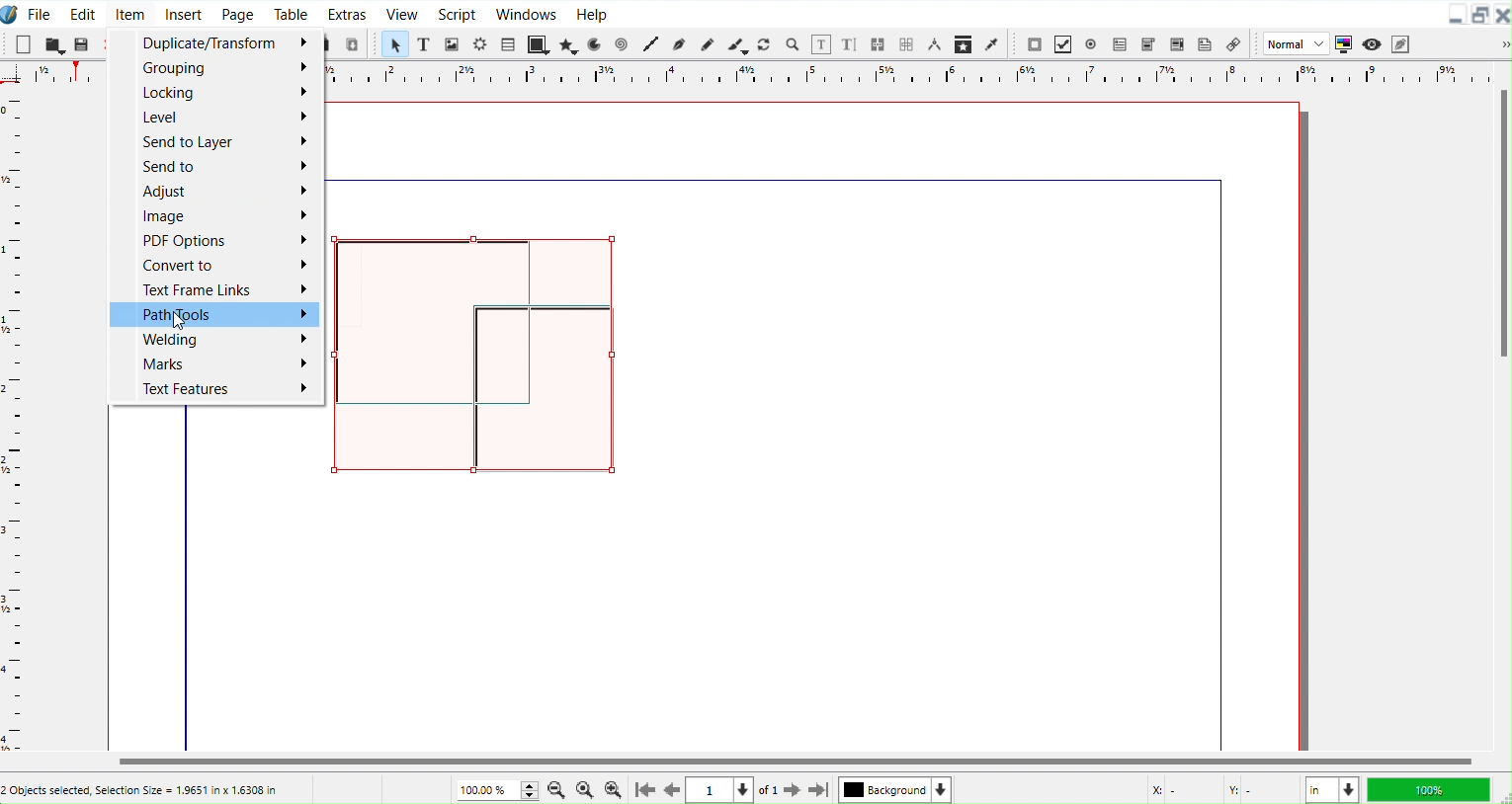  What do you see at coordinates (1371, 42) in the screenshot?
I see `Preview mode` at bounding box center [1371, 42].